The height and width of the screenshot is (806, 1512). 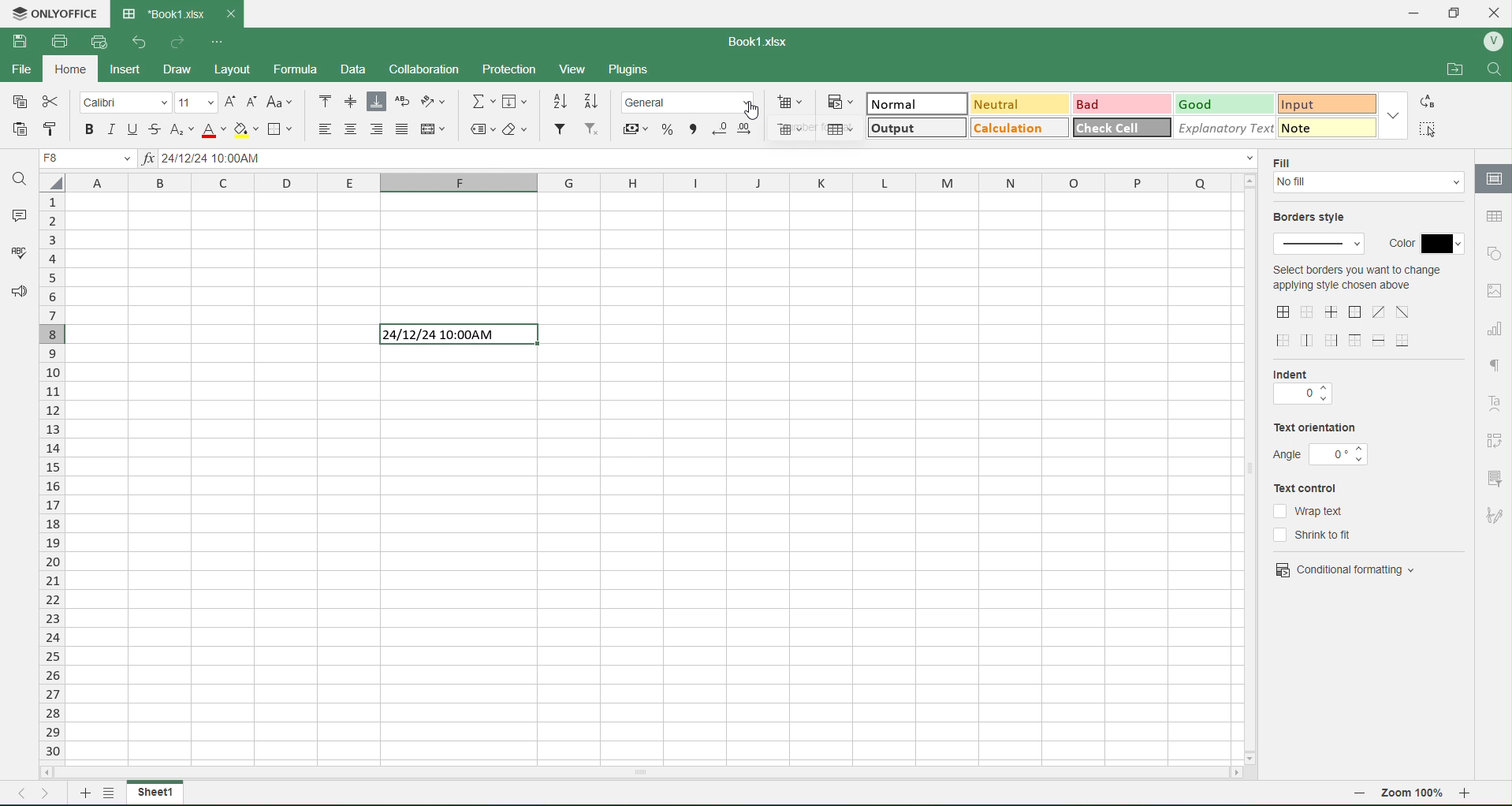 What do you see at coordinates (1430, 102) in the screenshot?
I see `Replace` at bounding box center [1430, 102].